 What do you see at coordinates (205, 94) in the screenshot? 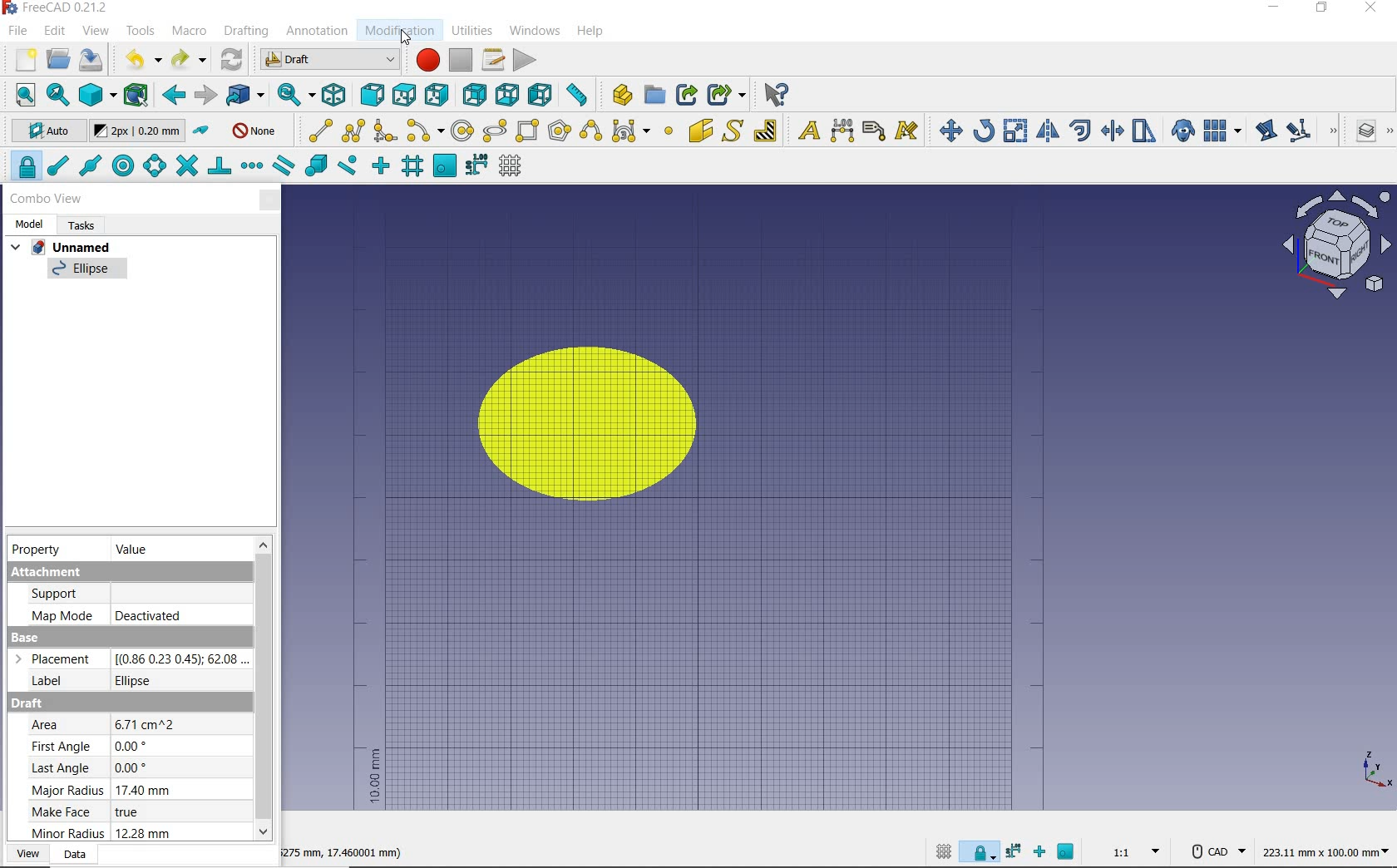
I see `forward` at bounding box center [205, 94].